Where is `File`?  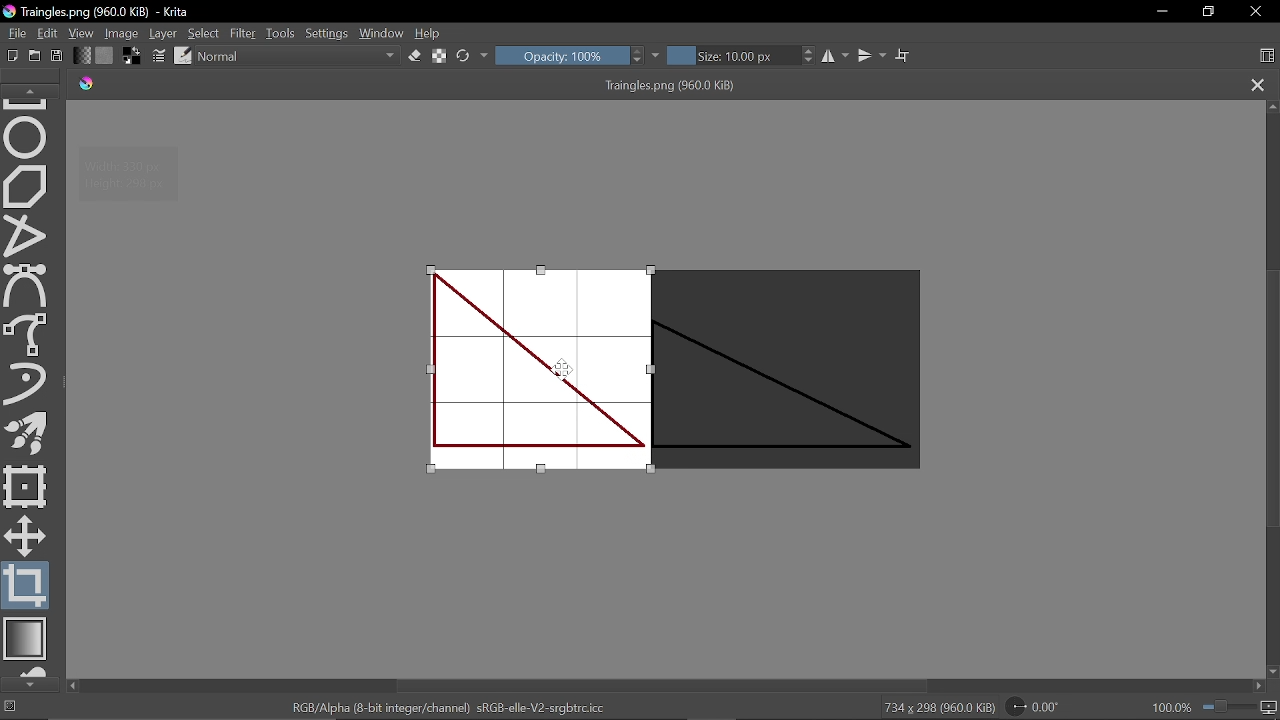
File is located at coordinates (14, 32).